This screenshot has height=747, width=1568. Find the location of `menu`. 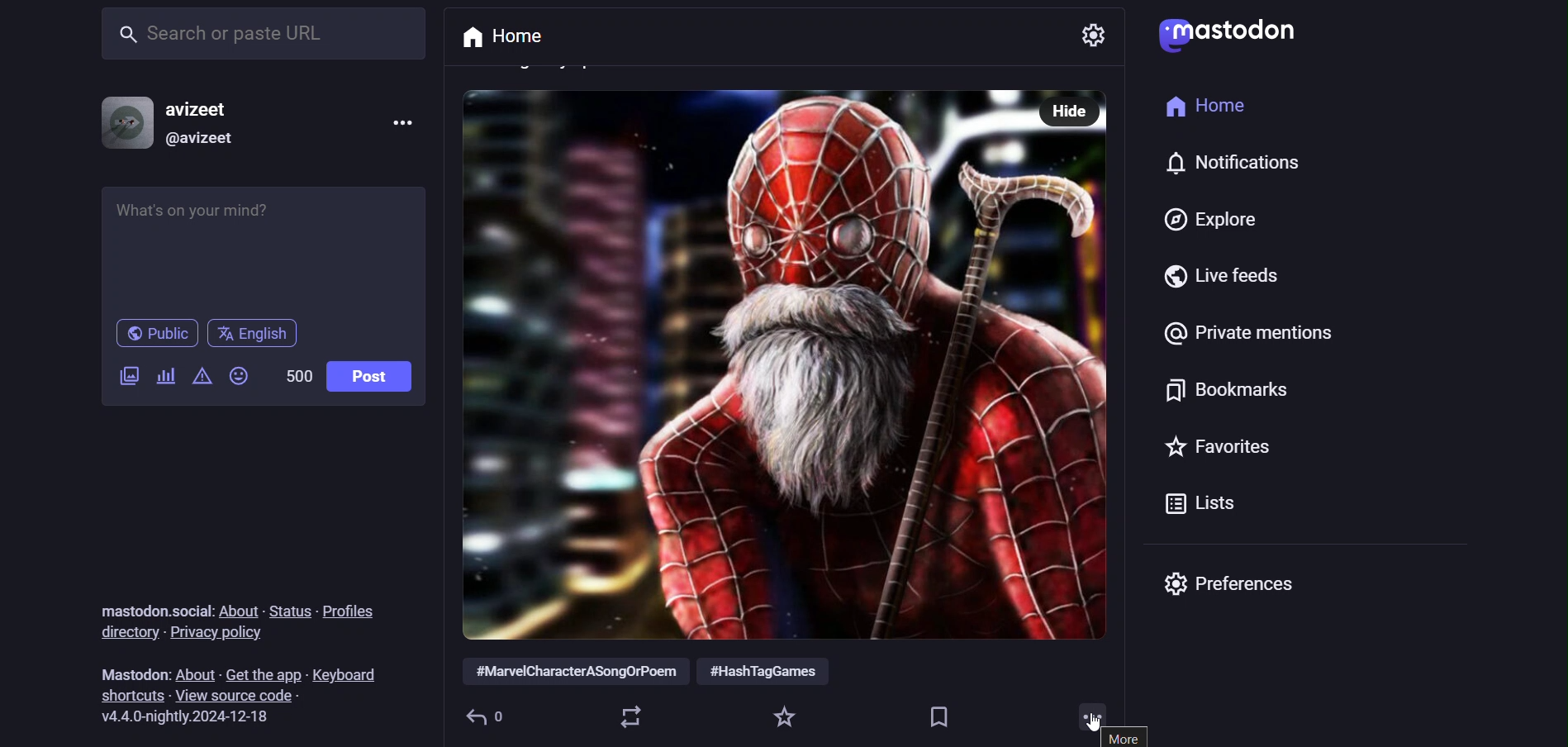

menu is located at coordinates (399, 119).